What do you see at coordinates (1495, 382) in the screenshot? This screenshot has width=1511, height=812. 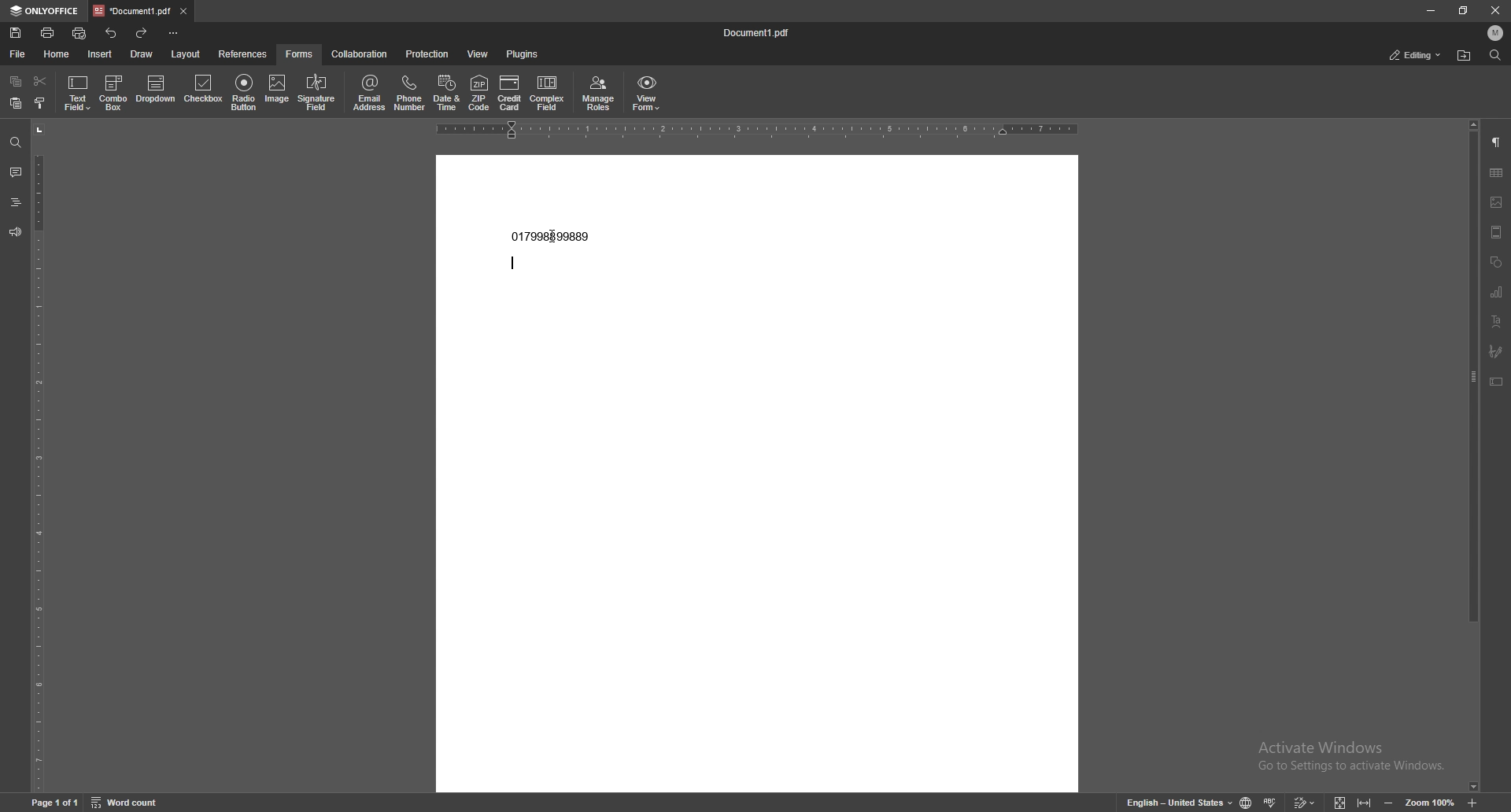 I see `text box` at bounding box center [1495, 382].